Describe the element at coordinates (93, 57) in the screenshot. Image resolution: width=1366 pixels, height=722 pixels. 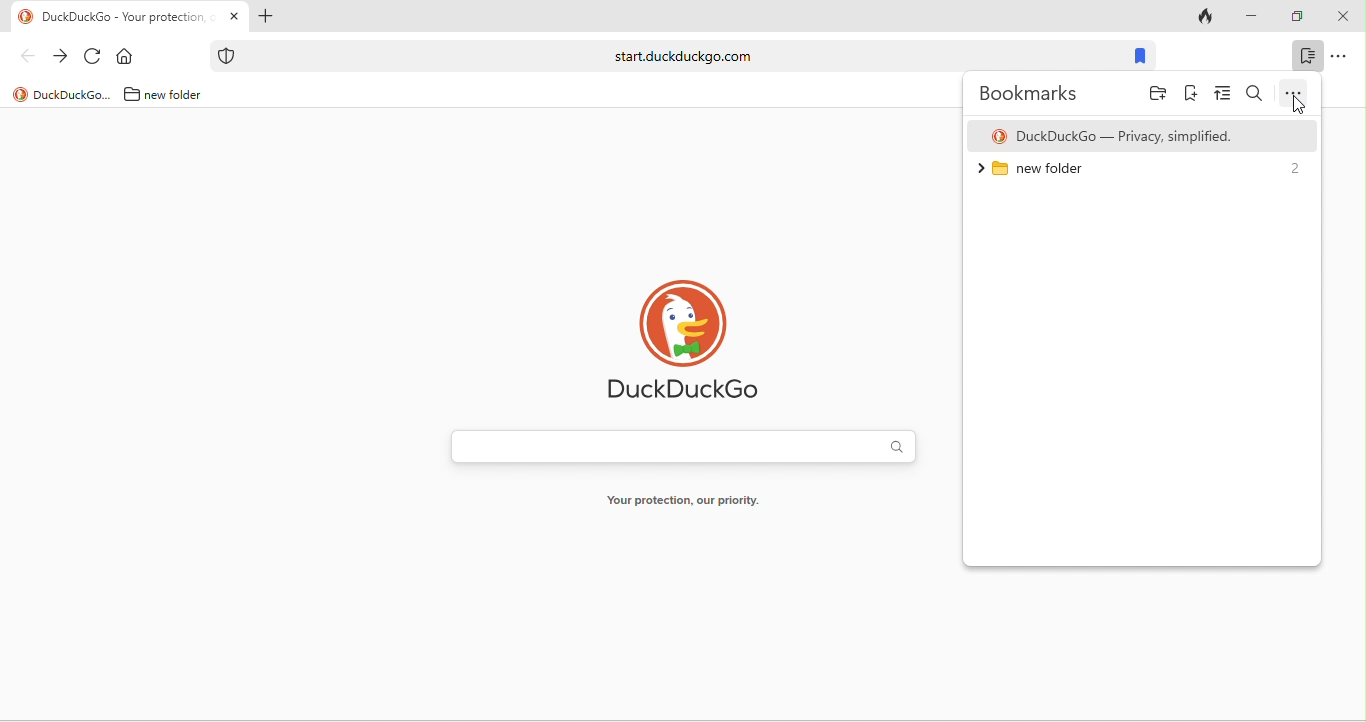
I see `reload` at that location.